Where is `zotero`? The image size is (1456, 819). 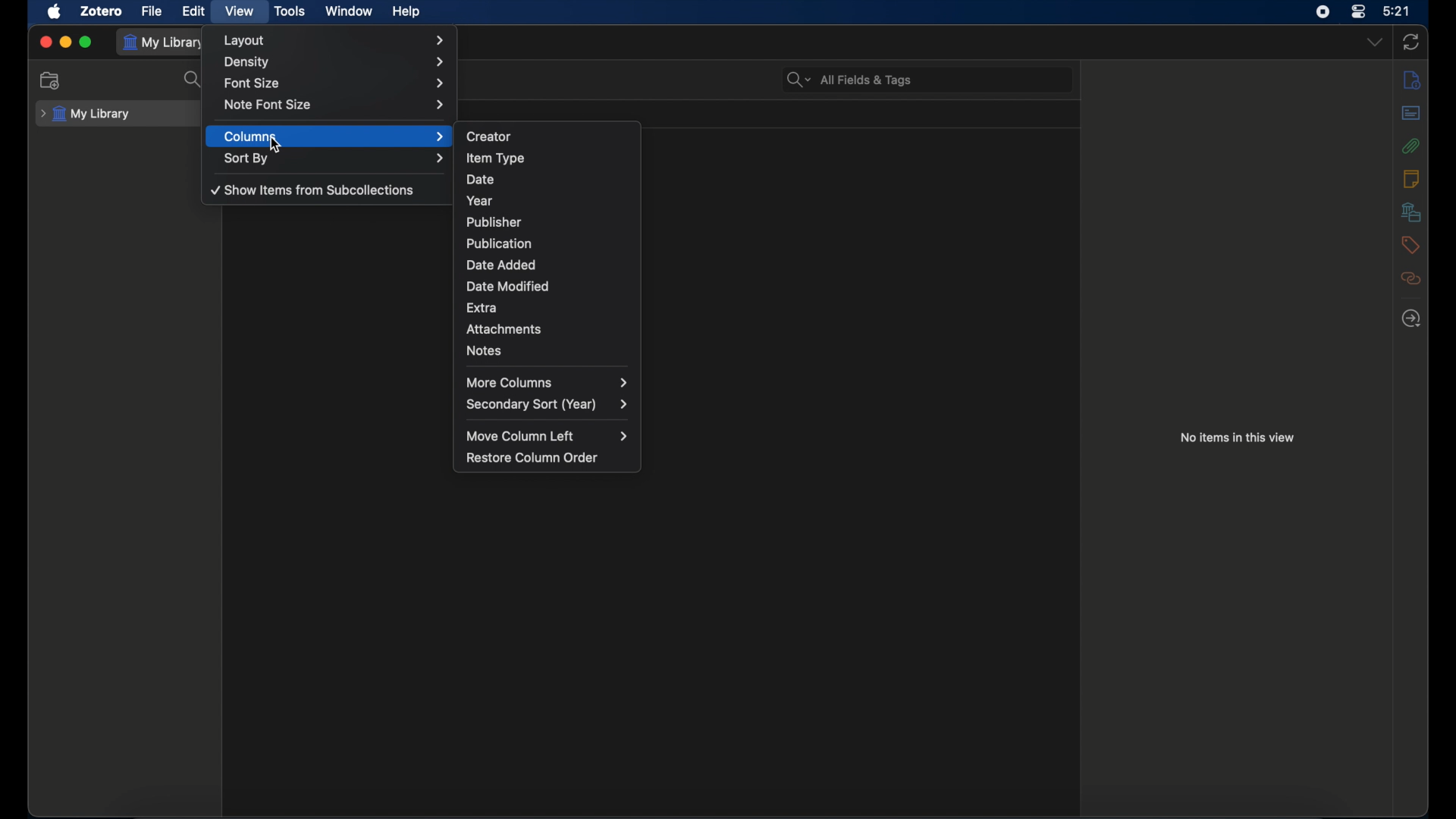 zotero is located at coordinates (102, 12).